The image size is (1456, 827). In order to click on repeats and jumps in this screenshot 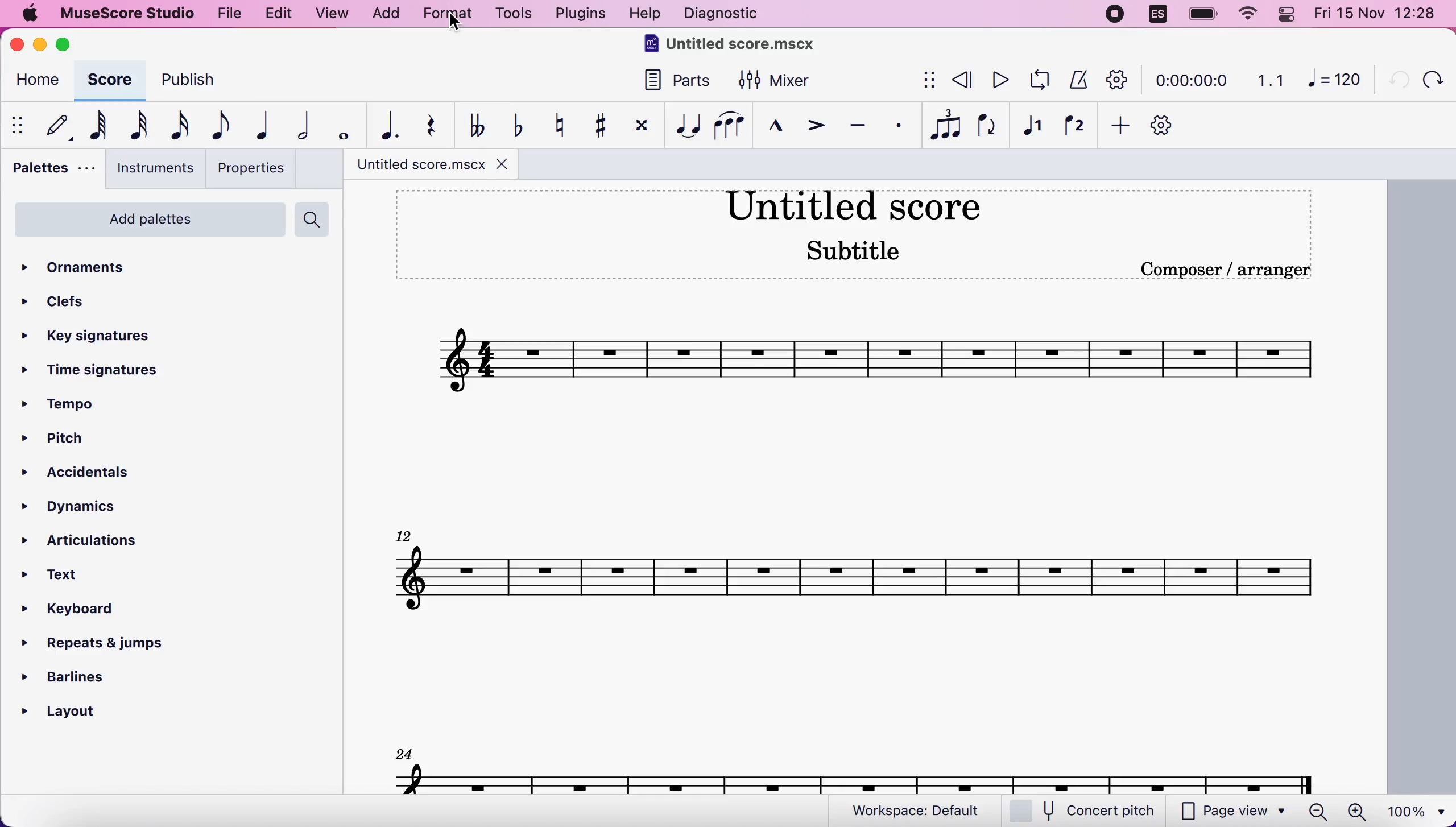, I will do `click(94, 639)`.